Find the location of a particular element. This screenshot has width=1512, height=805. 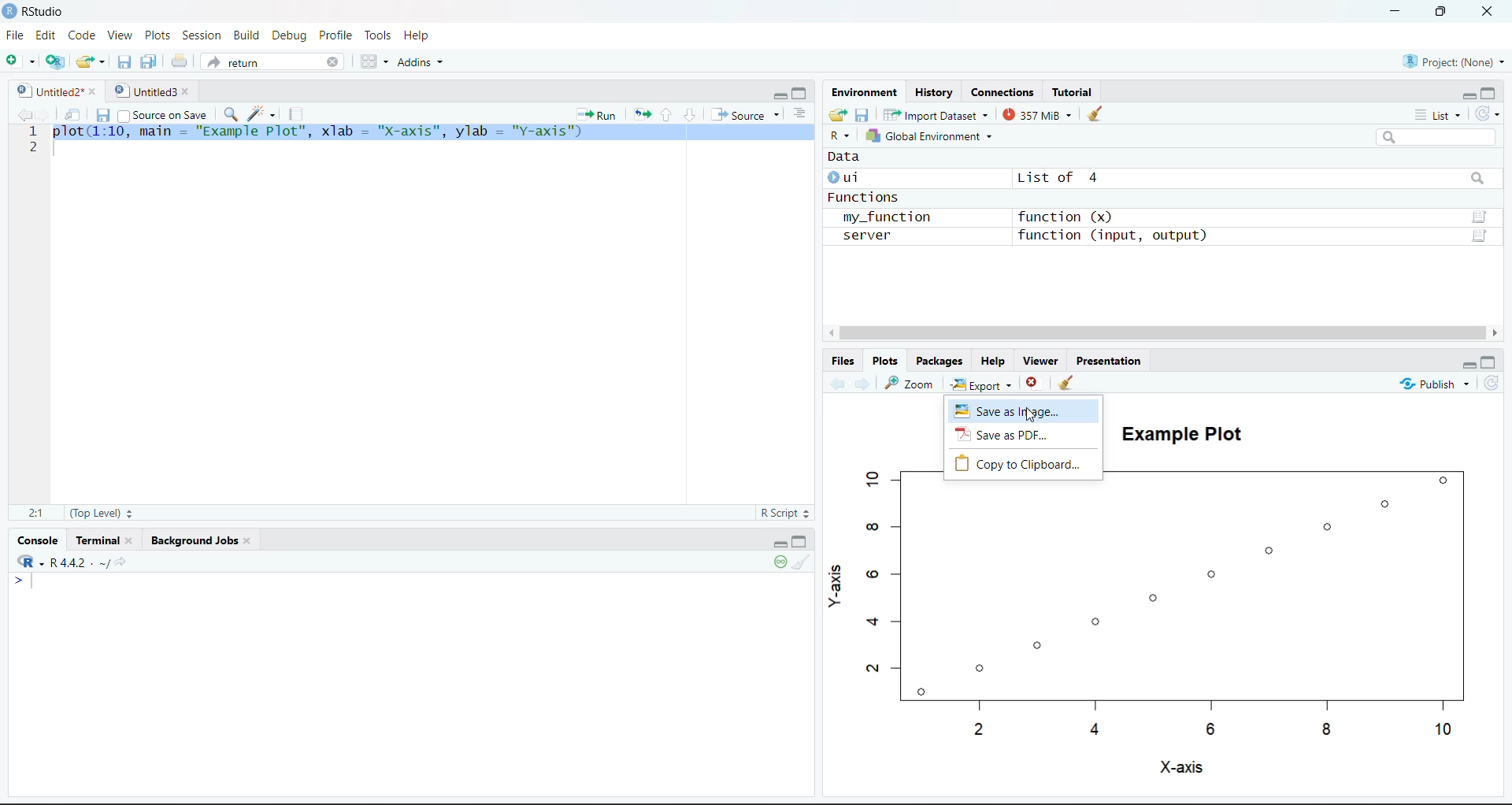

Save as page... is located at coordinates (1025, 410).